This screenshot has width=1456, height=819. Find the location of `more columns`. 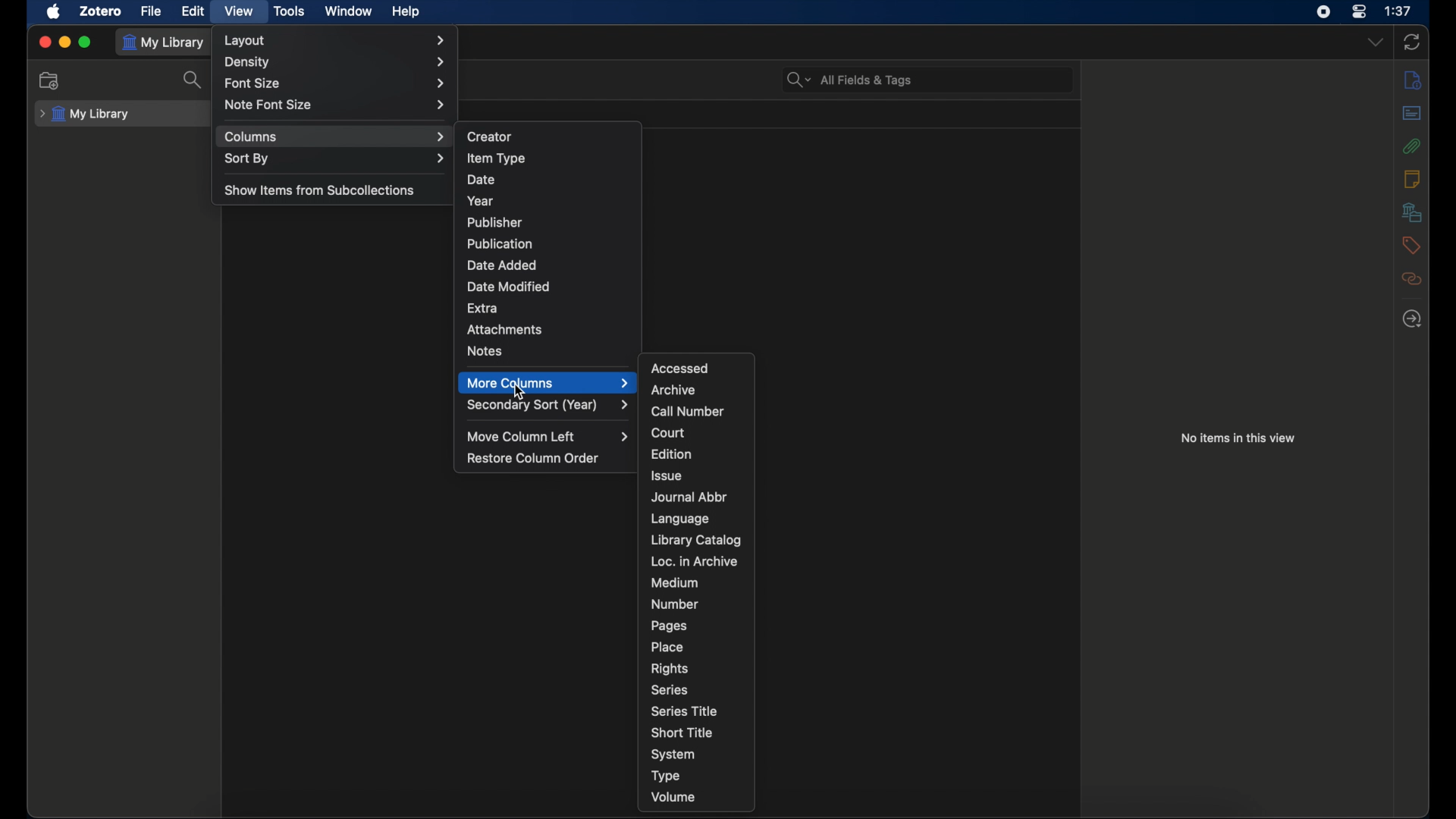

more columns is located at coordinates (549, 383).